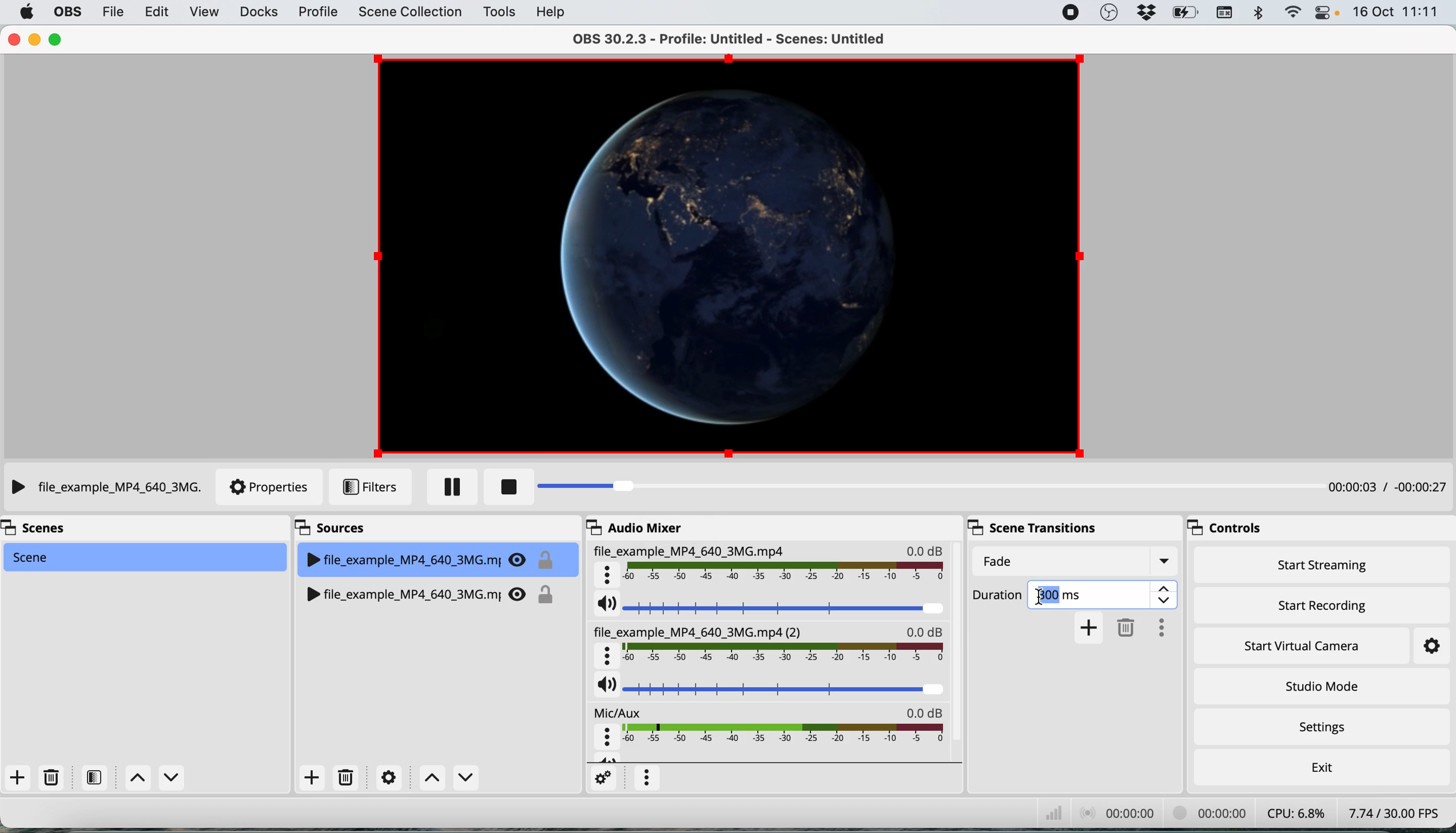  Describe the element at coordinates (766, 648) in the screenshot. I see `source audio` at that location.